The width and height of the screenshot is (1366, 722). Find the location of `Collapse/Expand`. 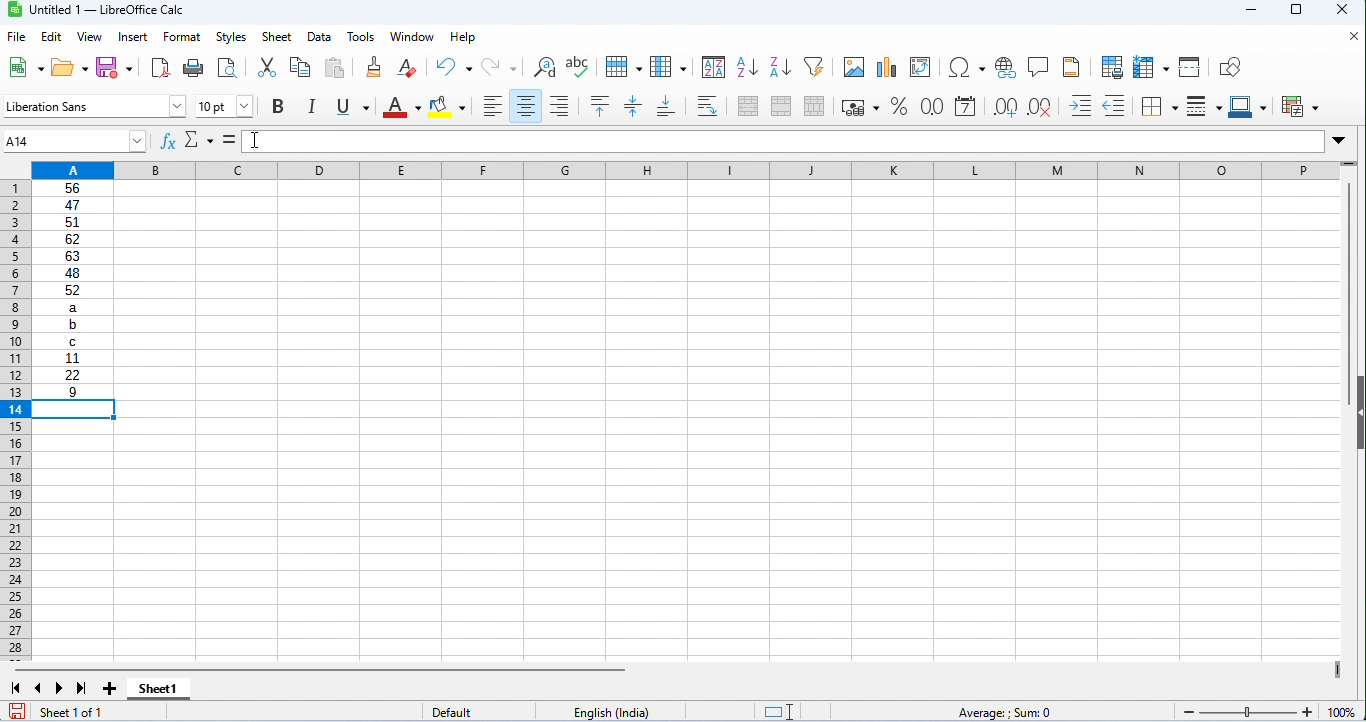

Collapse/Expand is located at coordinates (1360, 413).